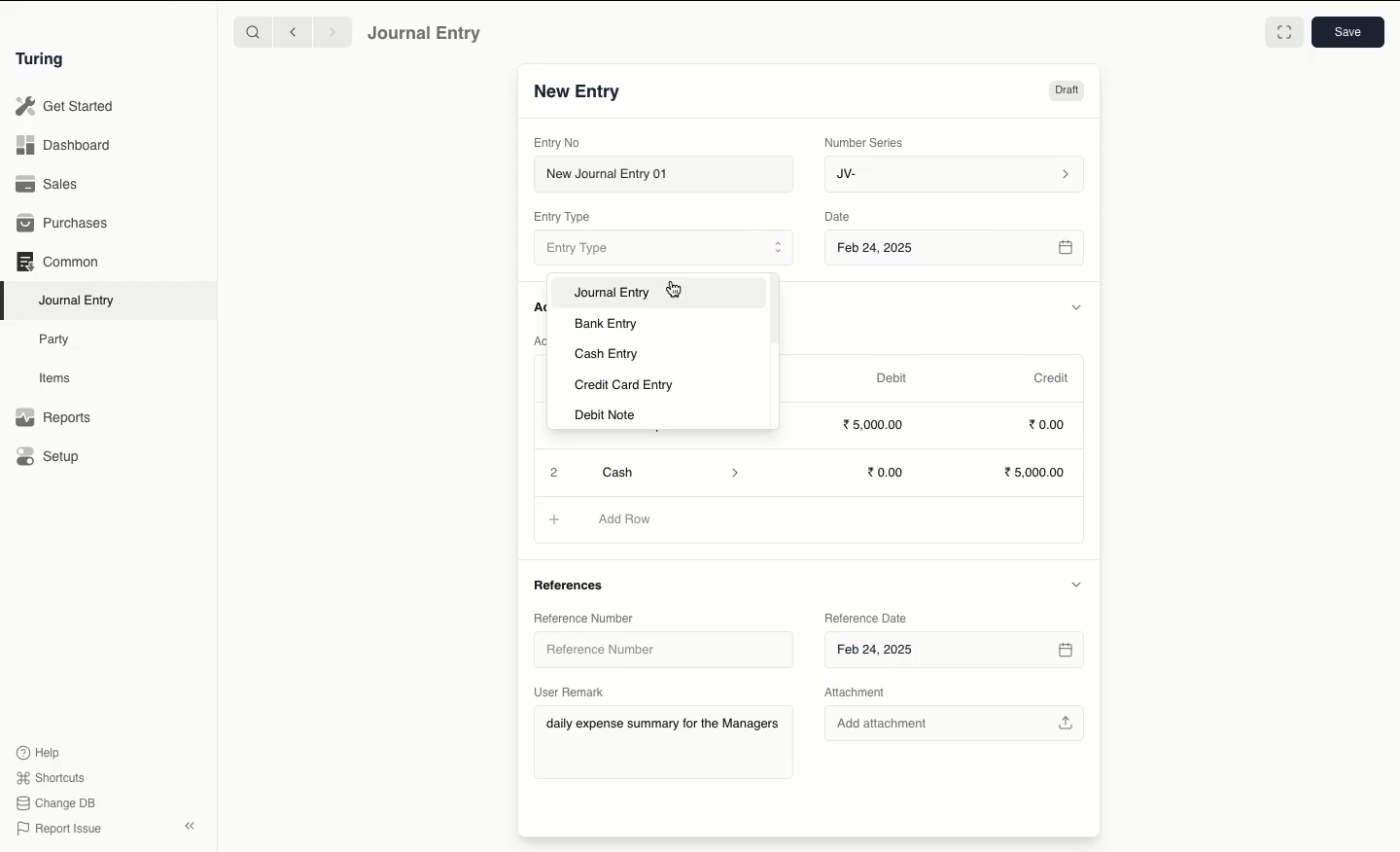 This screenshot has width=1400, height=852. Describe the element at coordinates (63, 146) in the screenshot. I see `Dashboard` at that location.